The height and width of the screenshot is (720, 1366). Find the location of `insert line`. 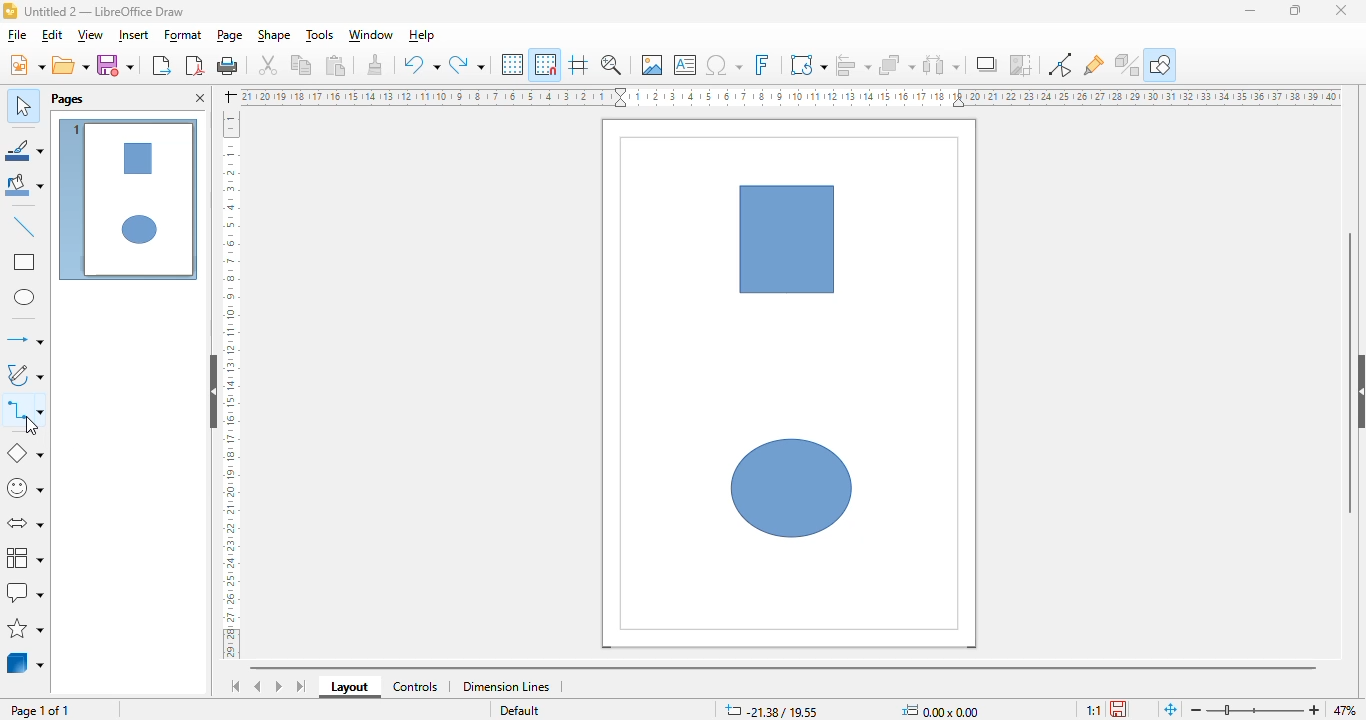

insert line is located at coordinates (25, 226).